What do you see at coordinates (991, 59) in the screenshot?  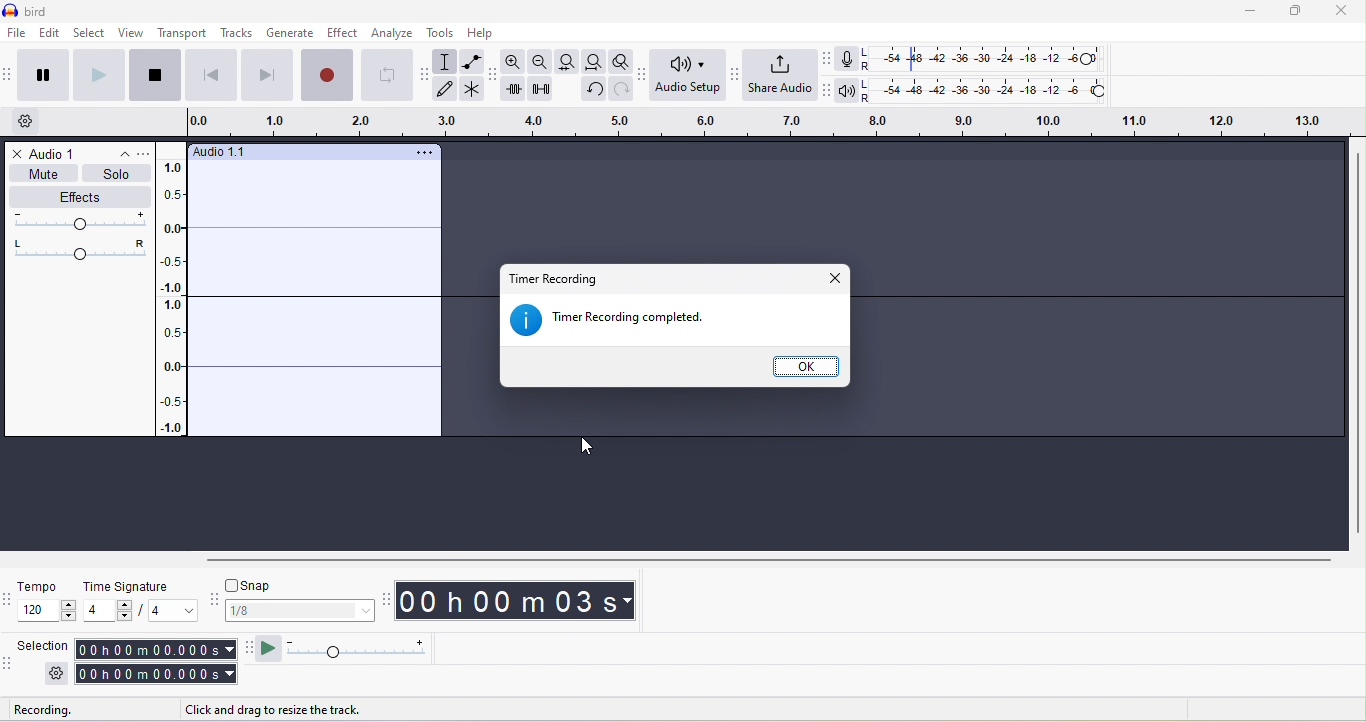 I see `recording level` at bounding box center [991, 59].